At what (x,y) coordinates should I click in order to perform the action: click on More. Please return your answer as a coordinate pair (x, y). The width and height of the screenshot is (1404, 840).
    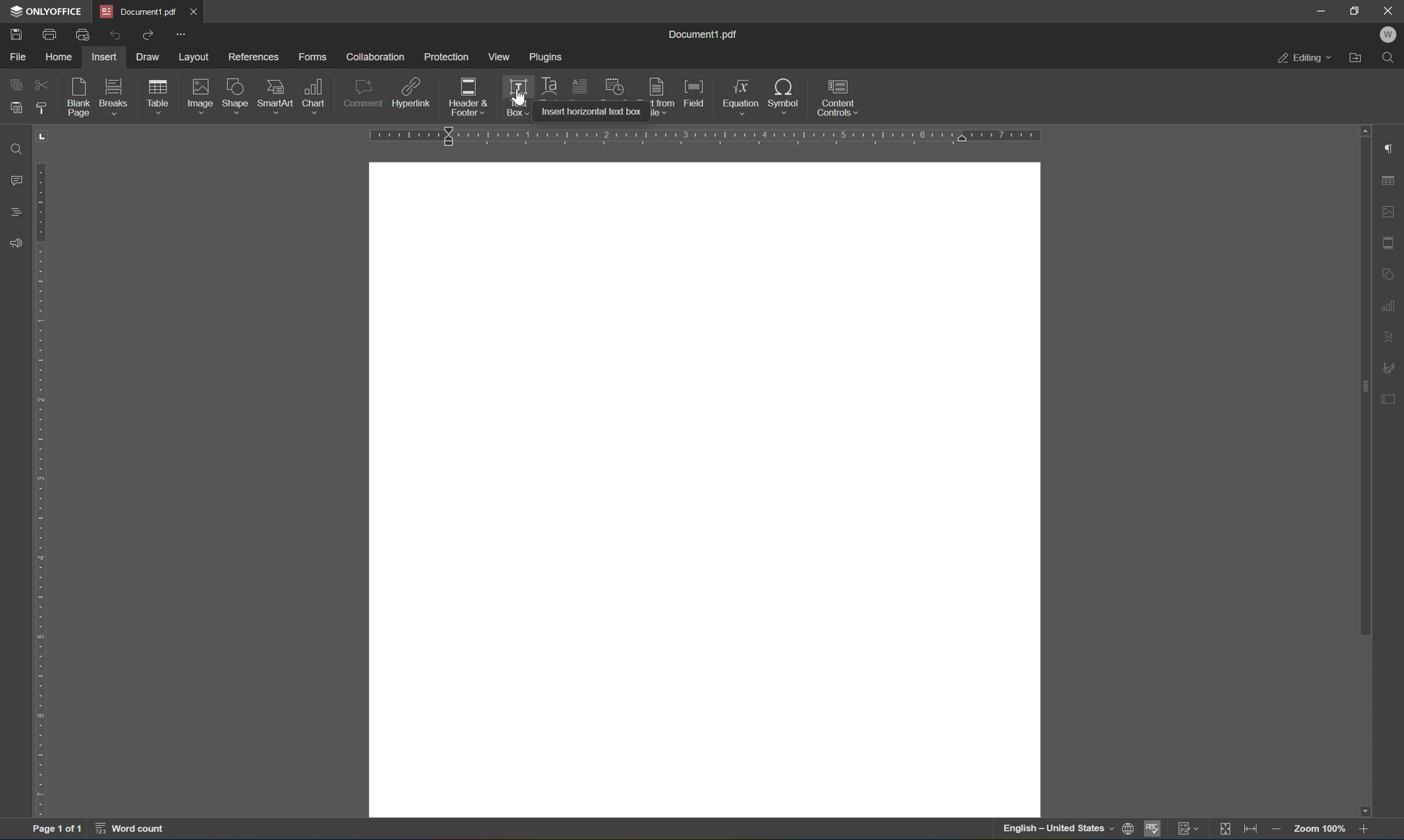
    Looking at the image, I should click on (181, 33).